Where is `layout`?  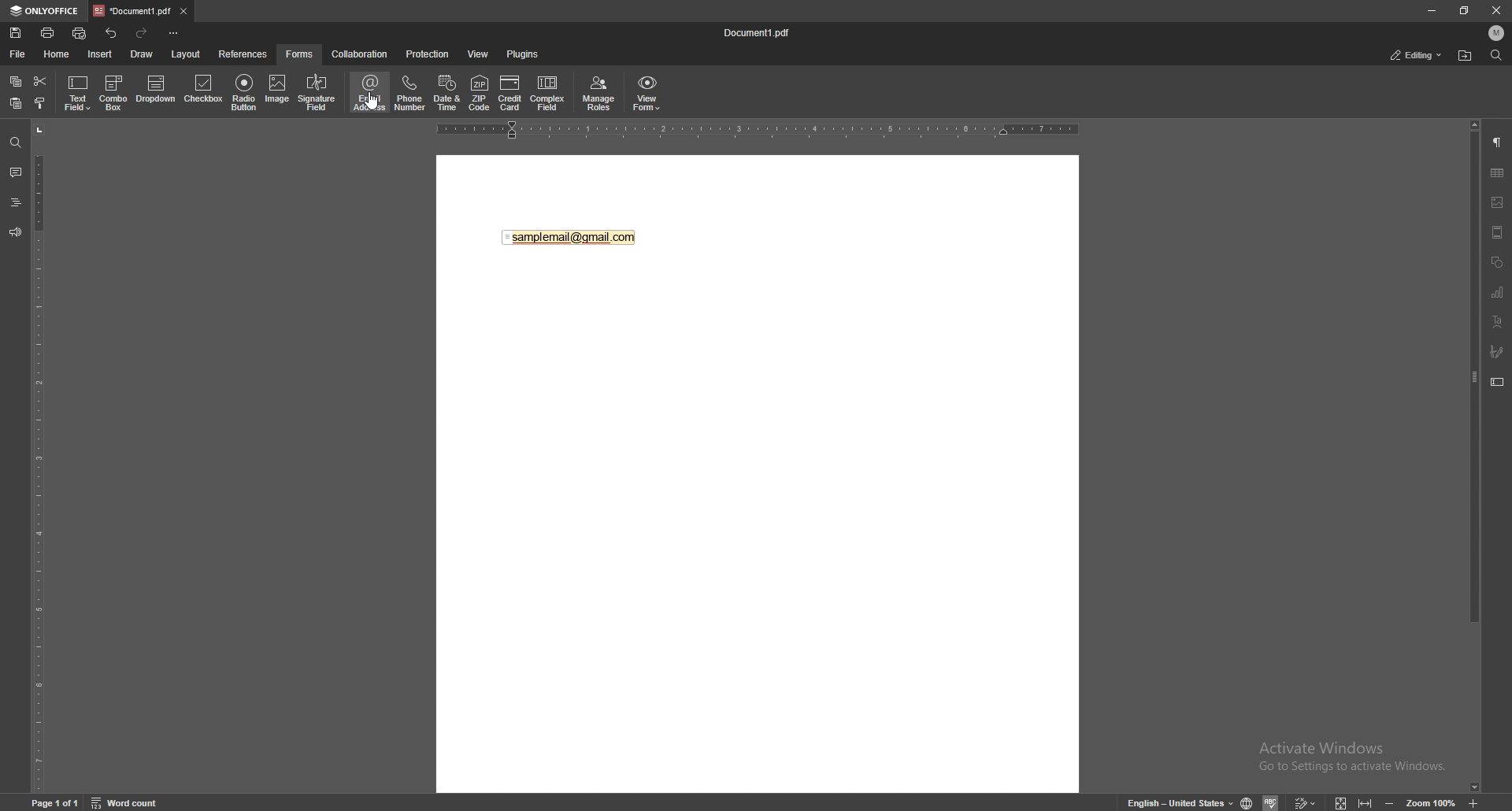 layout is located at coordinates (185, 54).